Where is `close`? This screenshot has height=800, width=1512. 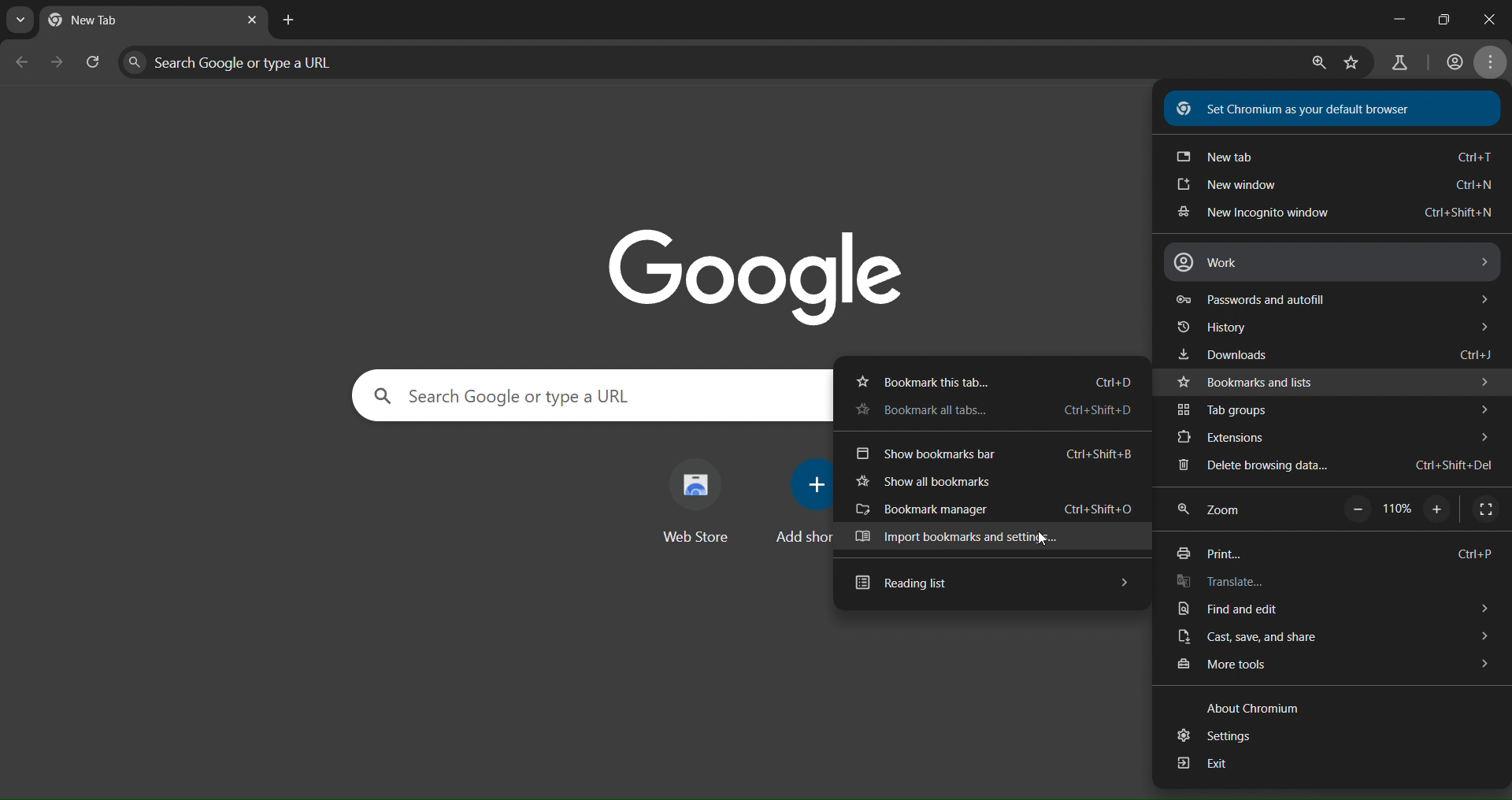
close is located at coordinates (1490, 20).